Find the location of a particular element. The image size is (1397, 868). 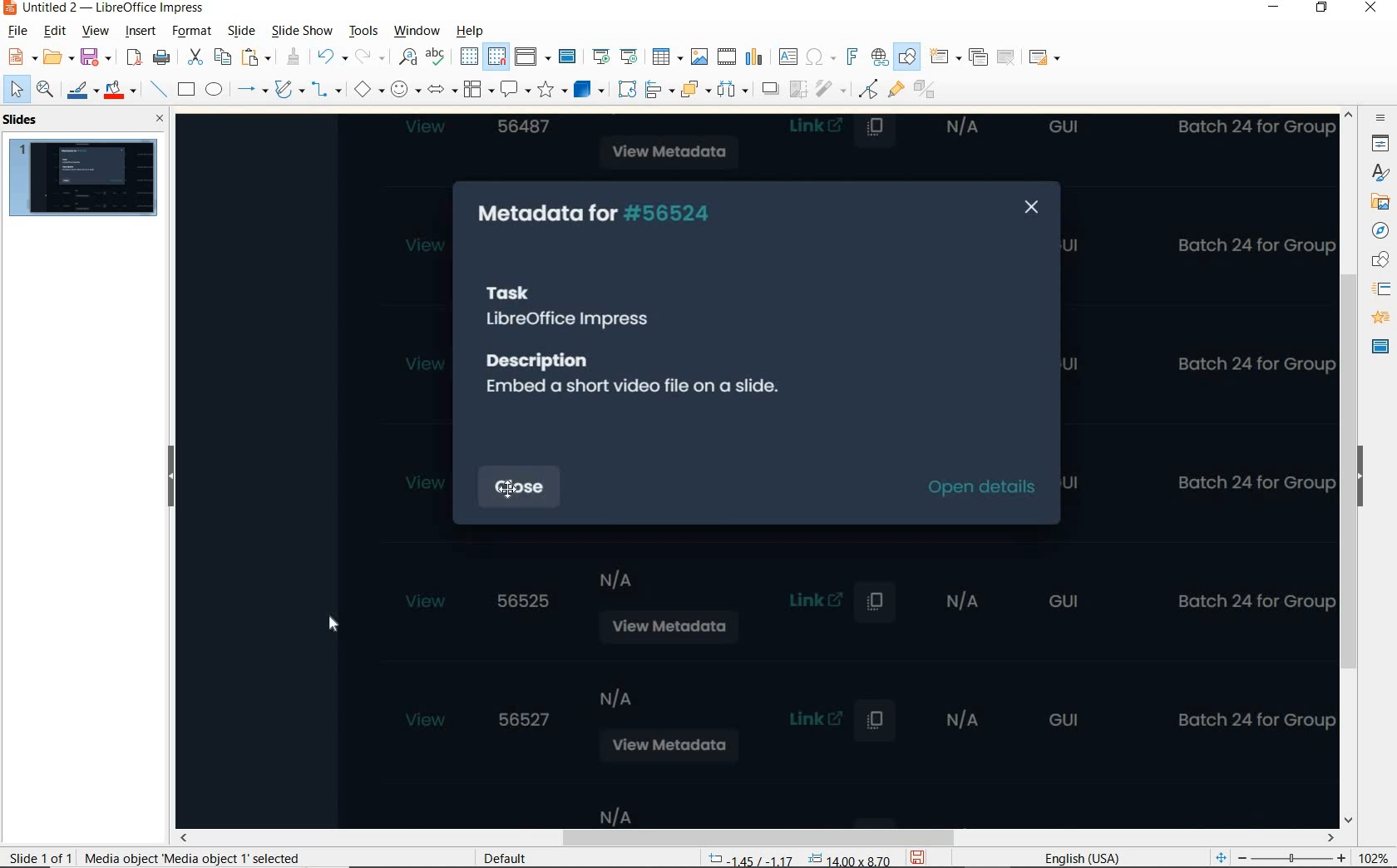

ELLIPSE is located at coordinates (215, 91).